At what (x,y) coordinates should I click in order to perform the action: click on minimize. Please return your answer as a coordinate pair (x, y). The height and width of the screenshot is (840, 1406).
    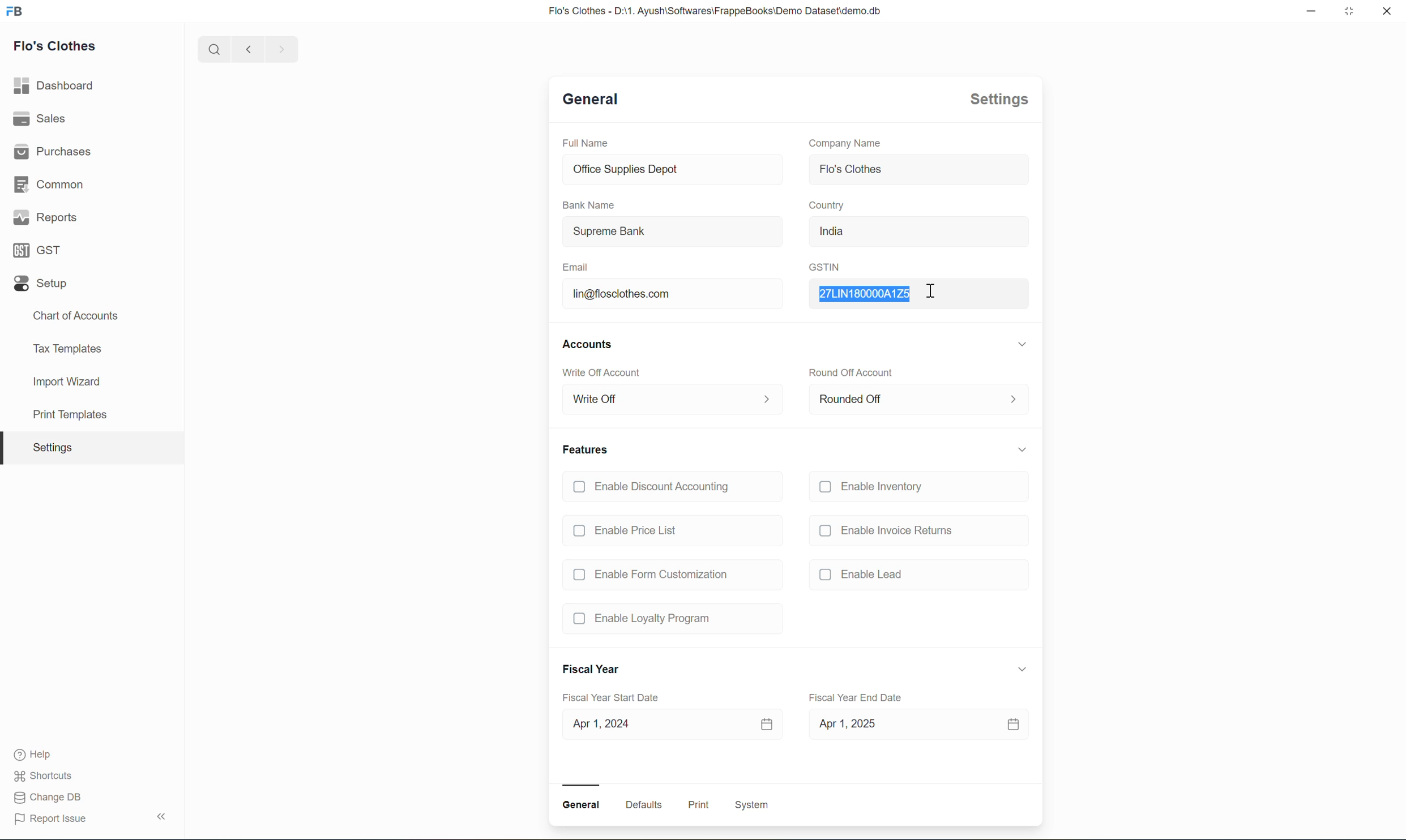
    Looking at the image, I should click on (1311, 11).